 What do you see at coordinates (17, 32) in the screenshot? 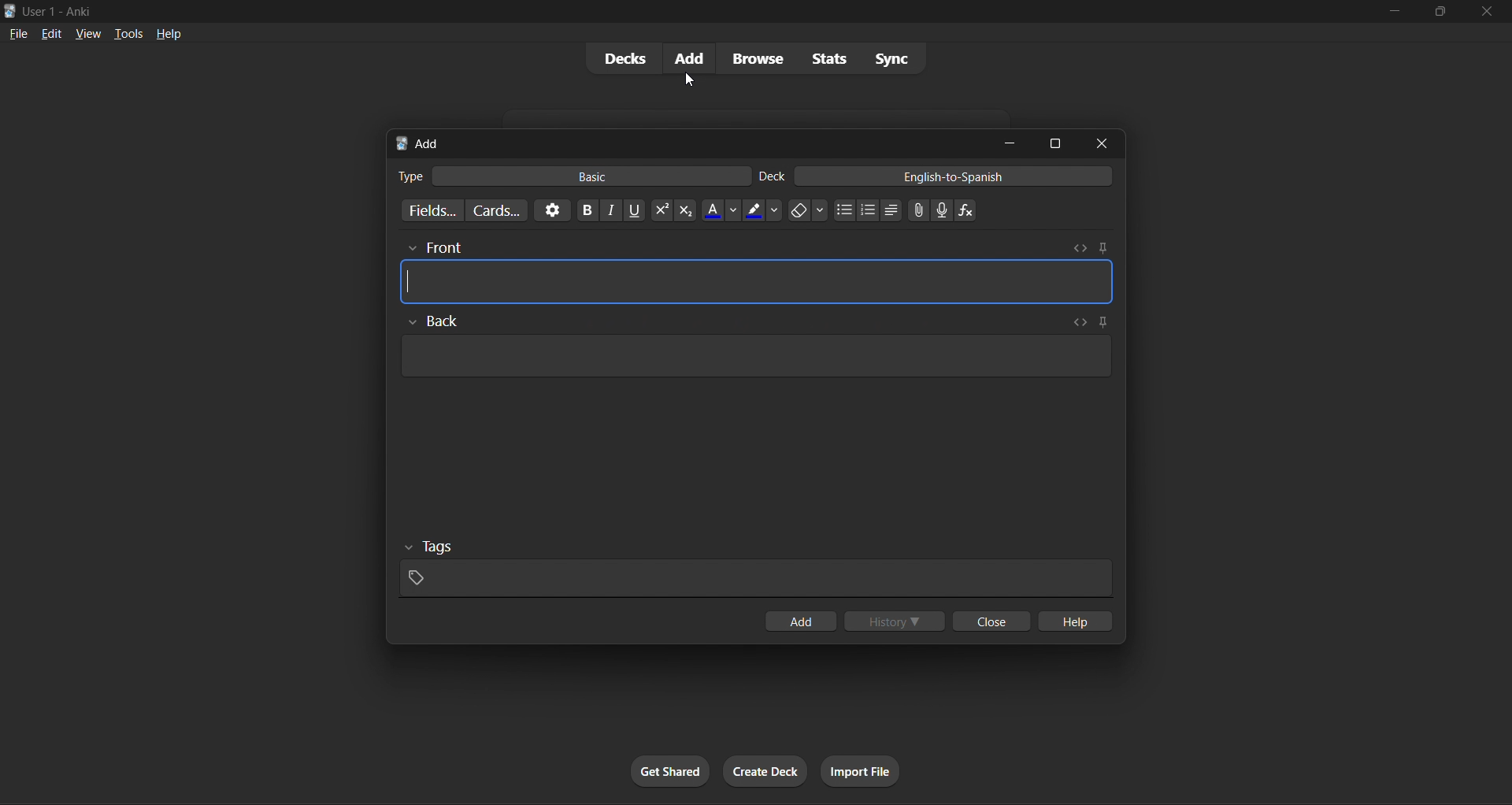
I see `file` at bounding box center [17, 32].